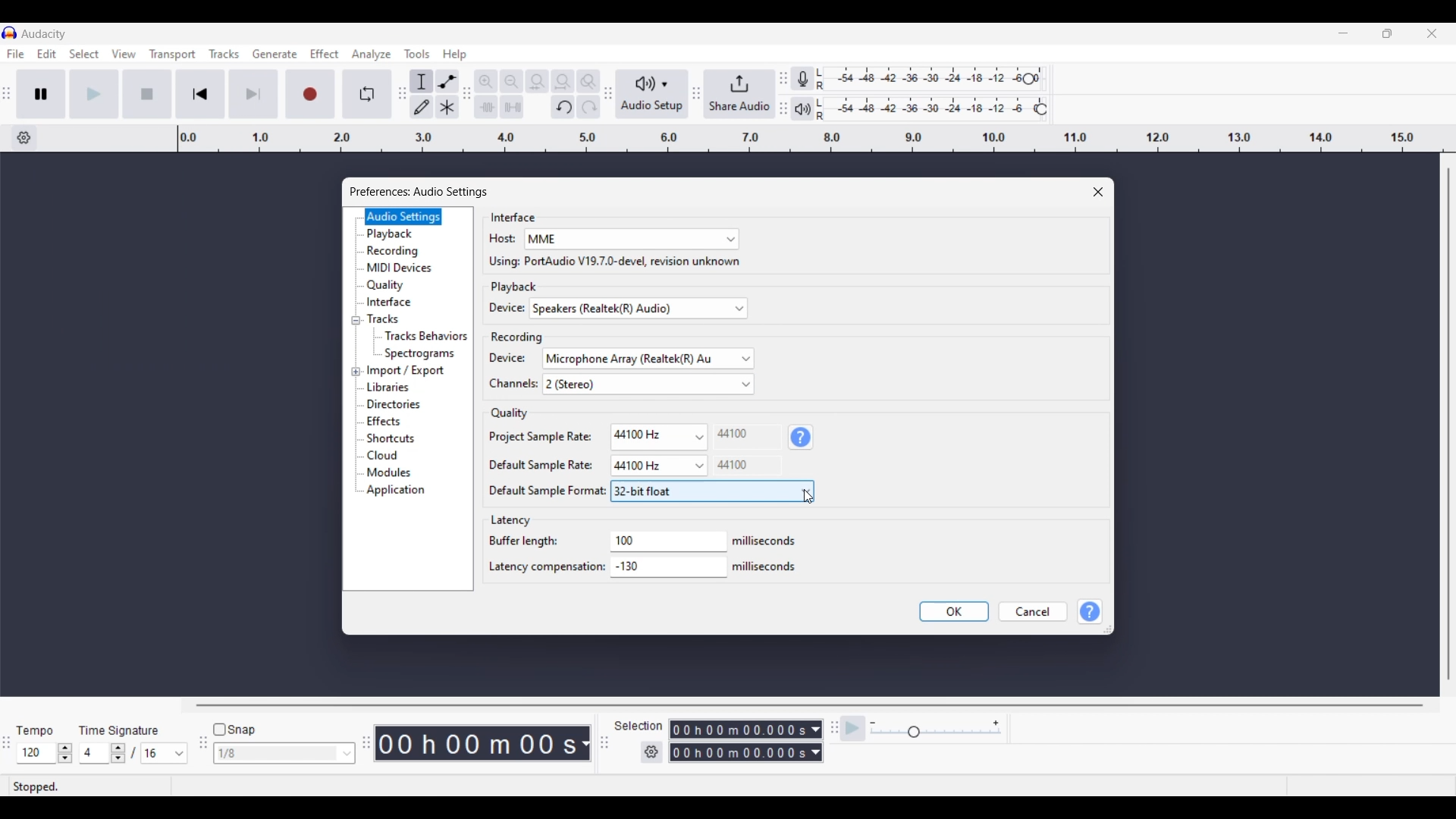 This screenshot has height=819, width=1456. I want to click on Transport menu, so click(173, 54).